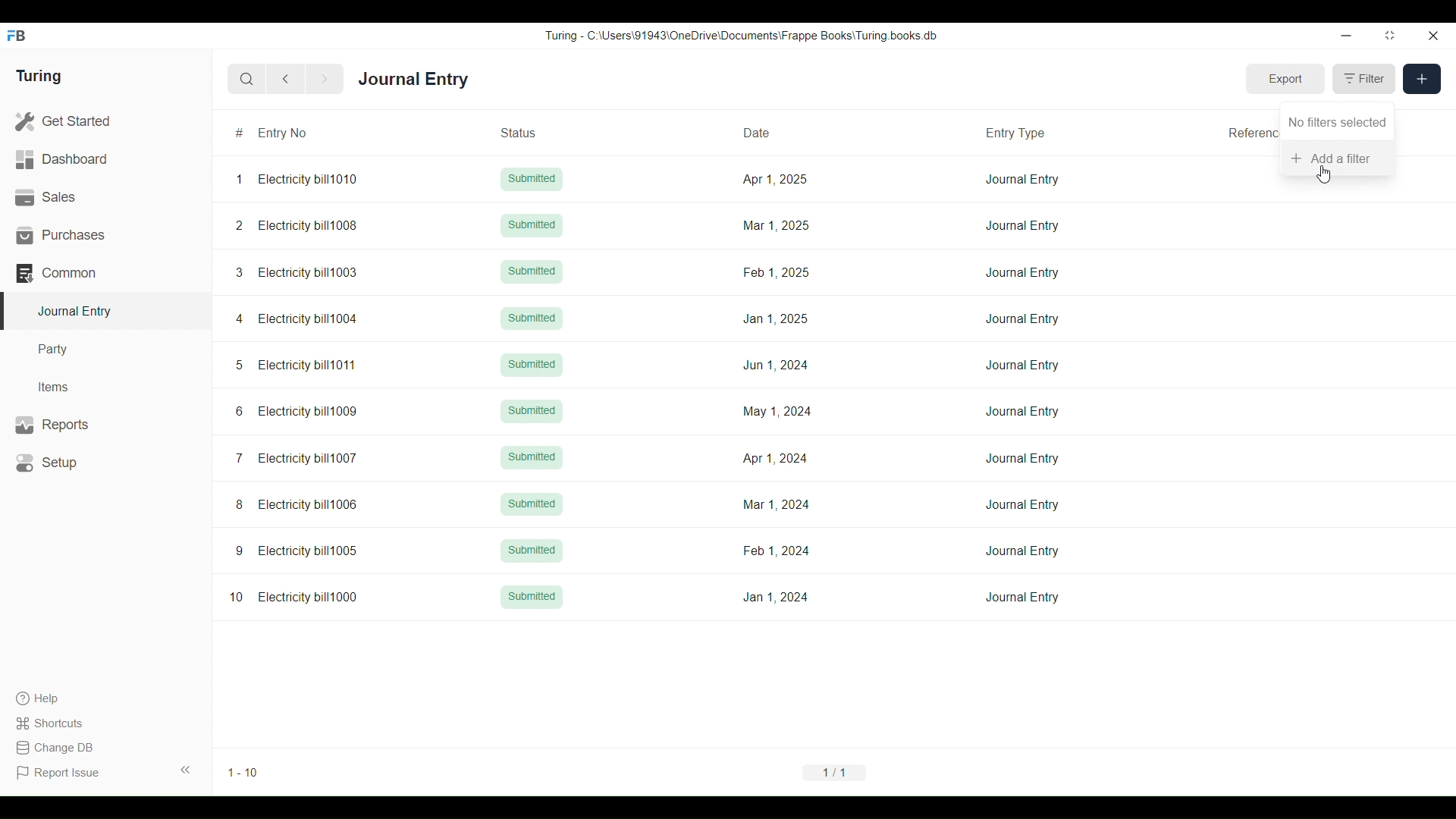 The height and width of the screenshot is (819, 1456). Describe the element at coordinates (106, 463) in the screenshot. I see `Setup` at that location.